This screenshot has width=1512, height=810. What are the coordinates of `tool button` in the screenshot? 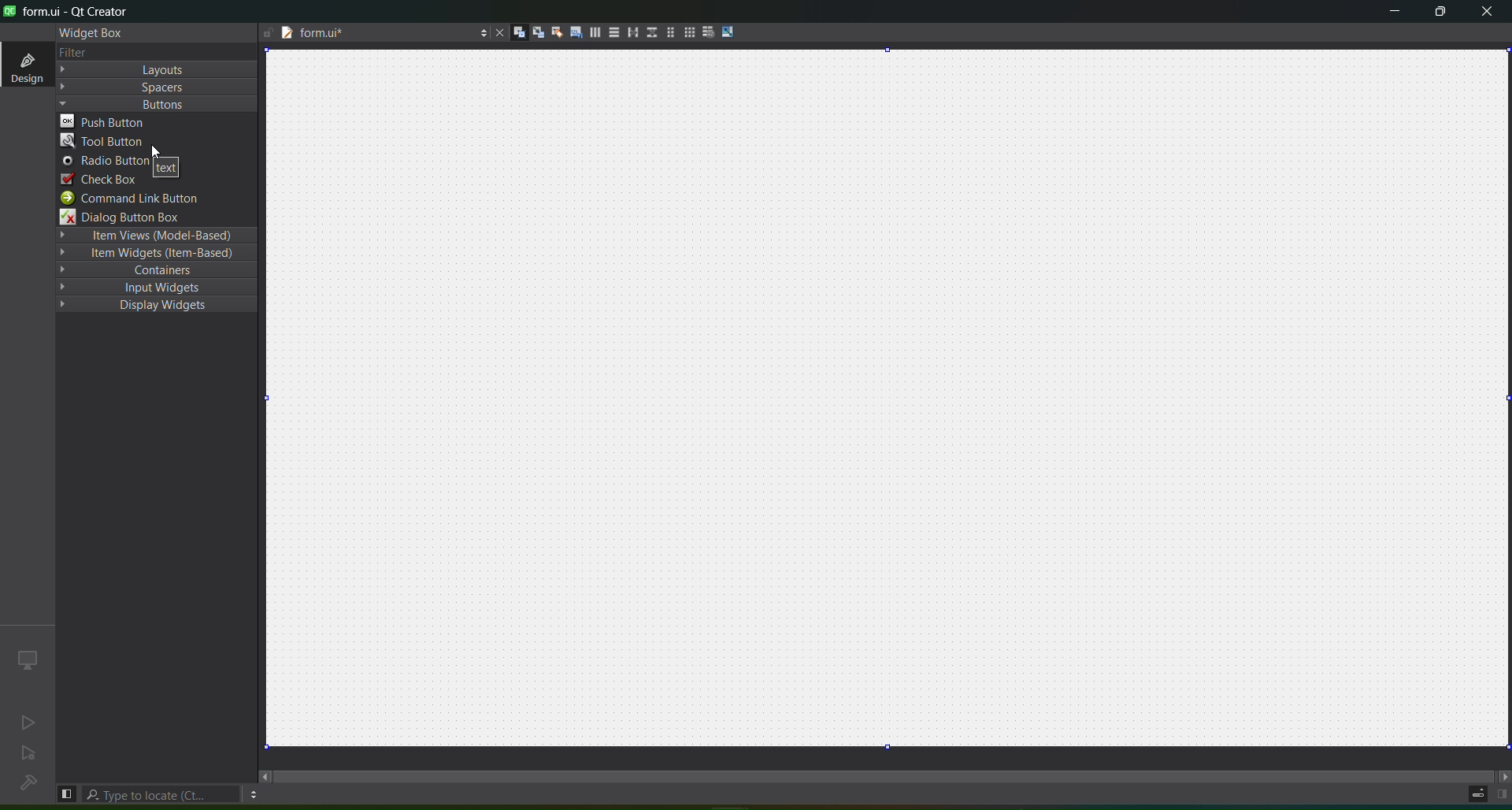 It's located at (157, 143).